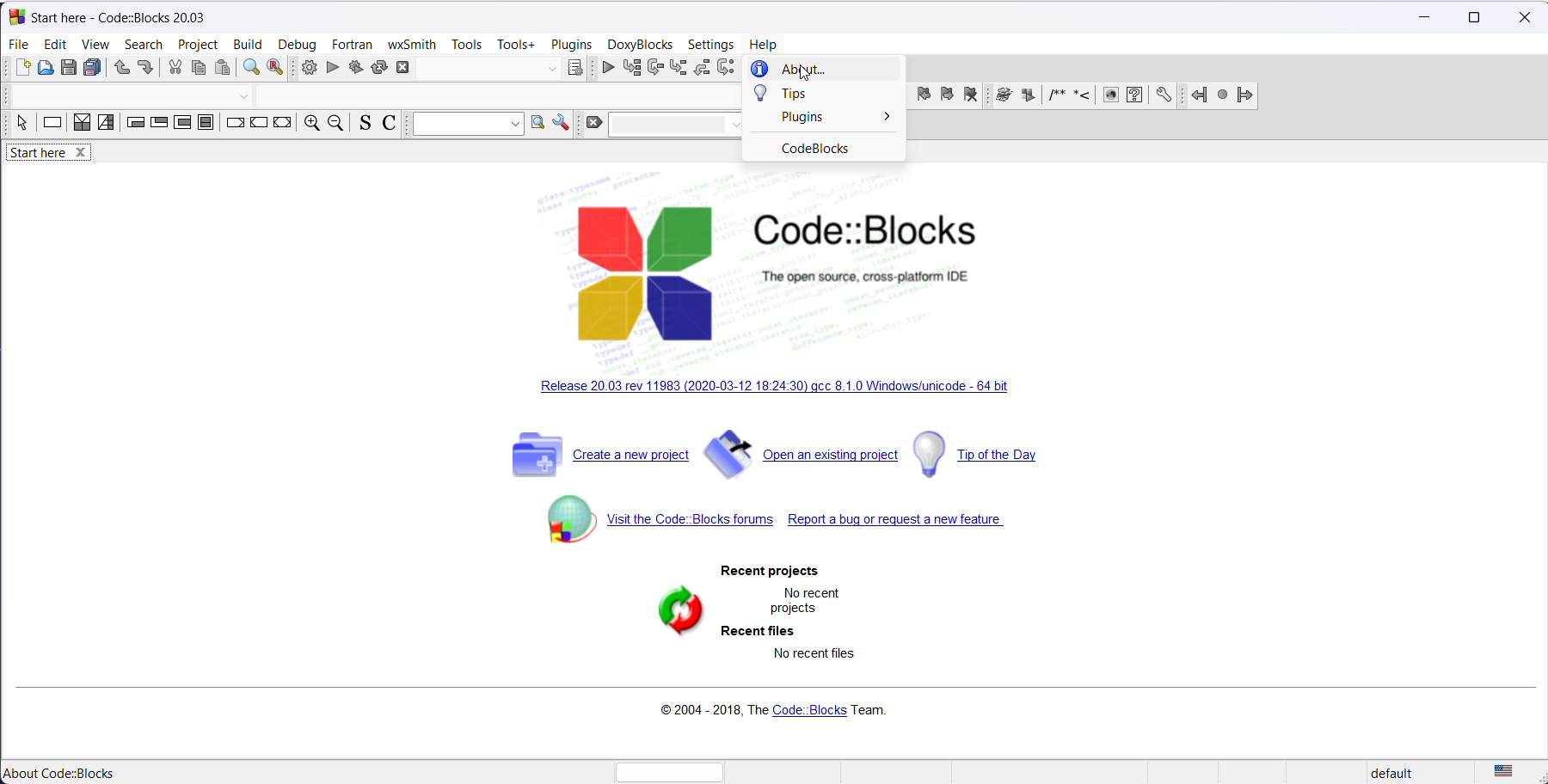  Describe the element at coordinates (198, 70) in the screenshot. I see `copy` at that location.